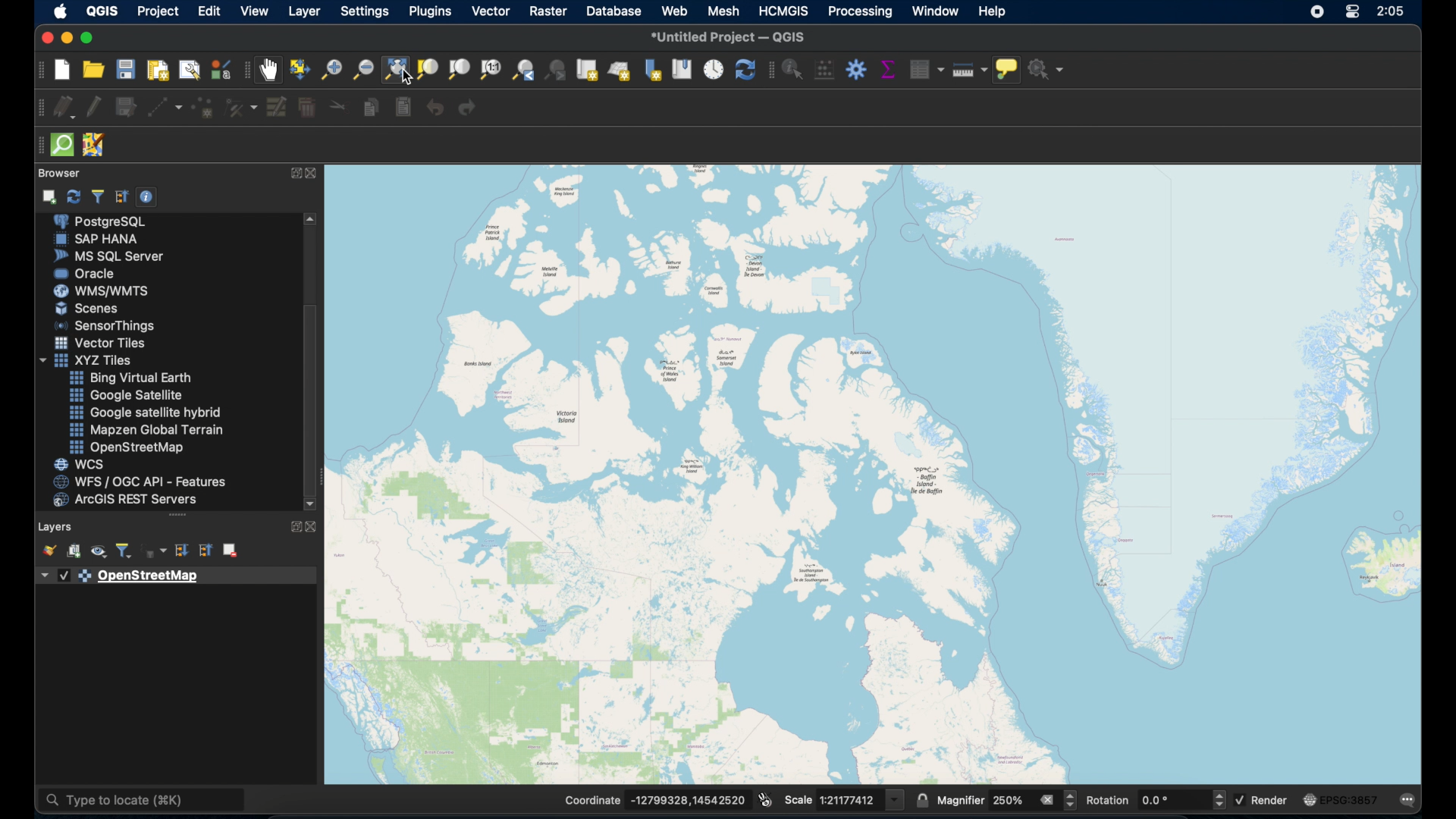 The image size is (1456, 819). I want to click on save project, so click(126, 70).